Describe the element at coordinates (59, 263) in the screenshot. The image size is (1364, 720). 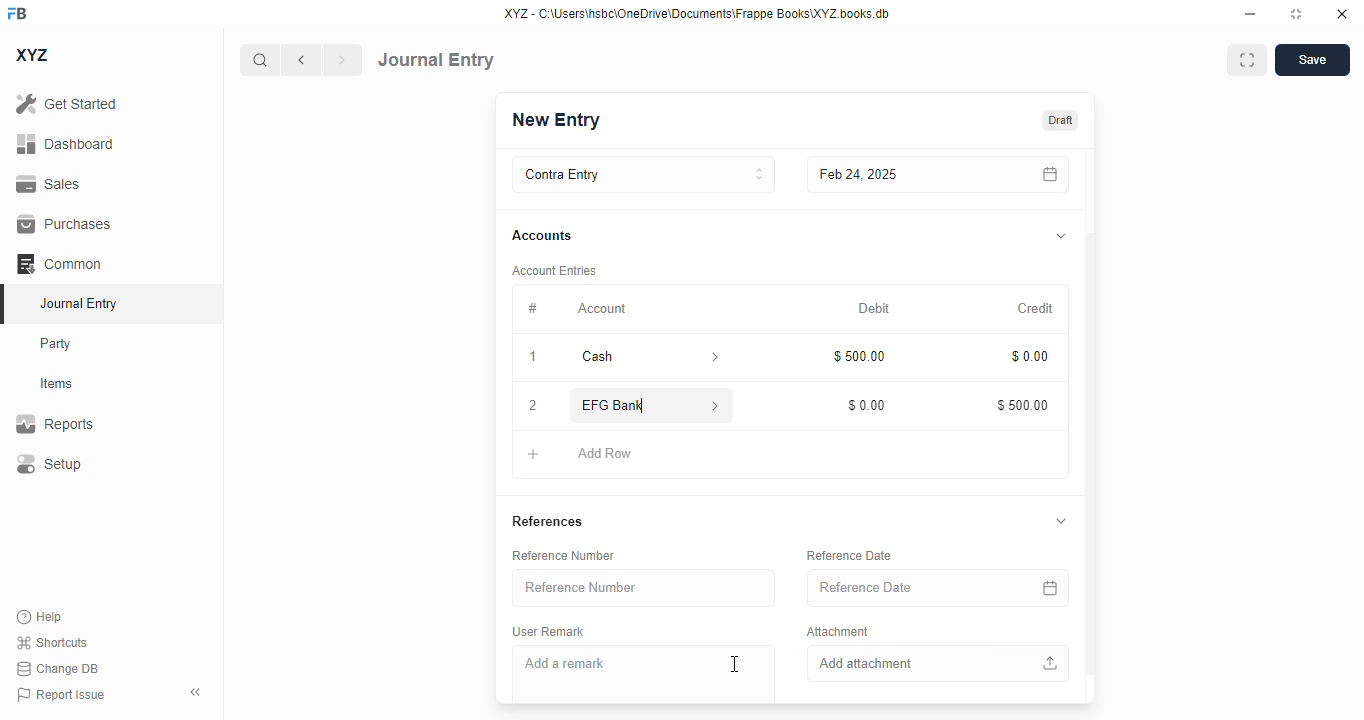
I see `common` at that location.